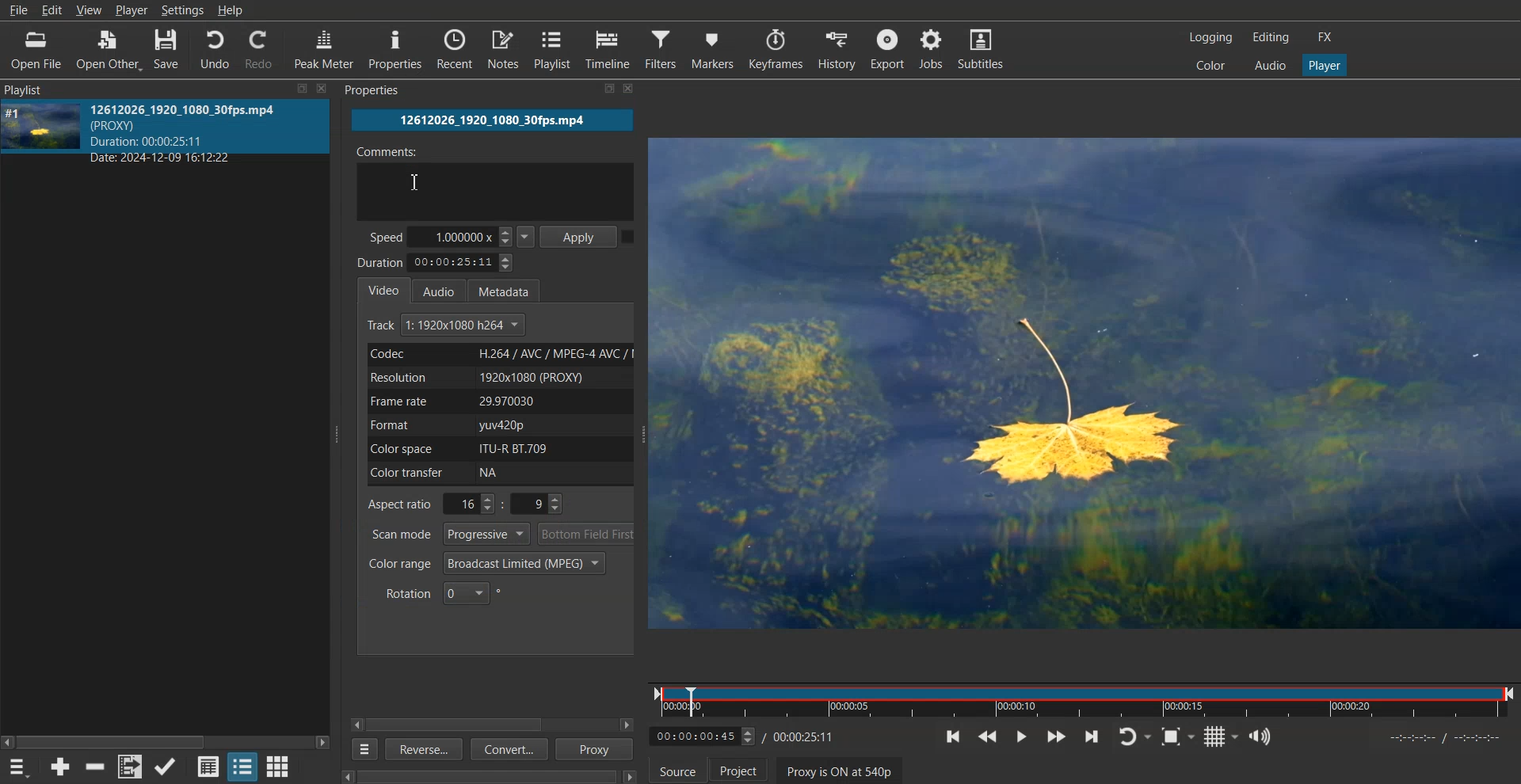  What do you see at coordinates (357, 724) in the screenshot?
I see `Scroll Left` at bounding box center [357, 724].